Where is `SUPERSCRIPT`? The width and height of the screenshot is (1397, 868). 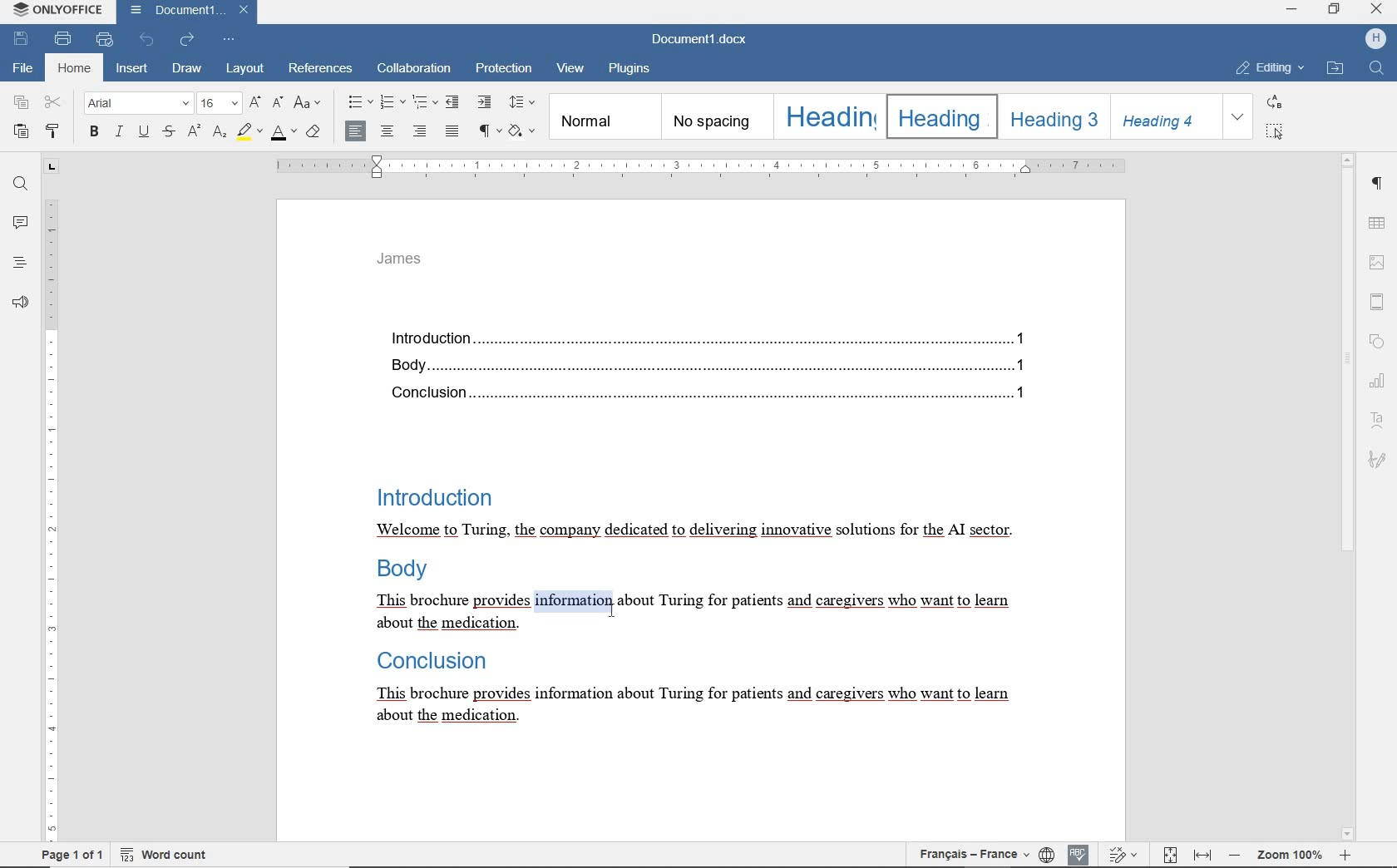 SUPERSCRIPT is located at coordinates (193, 131).